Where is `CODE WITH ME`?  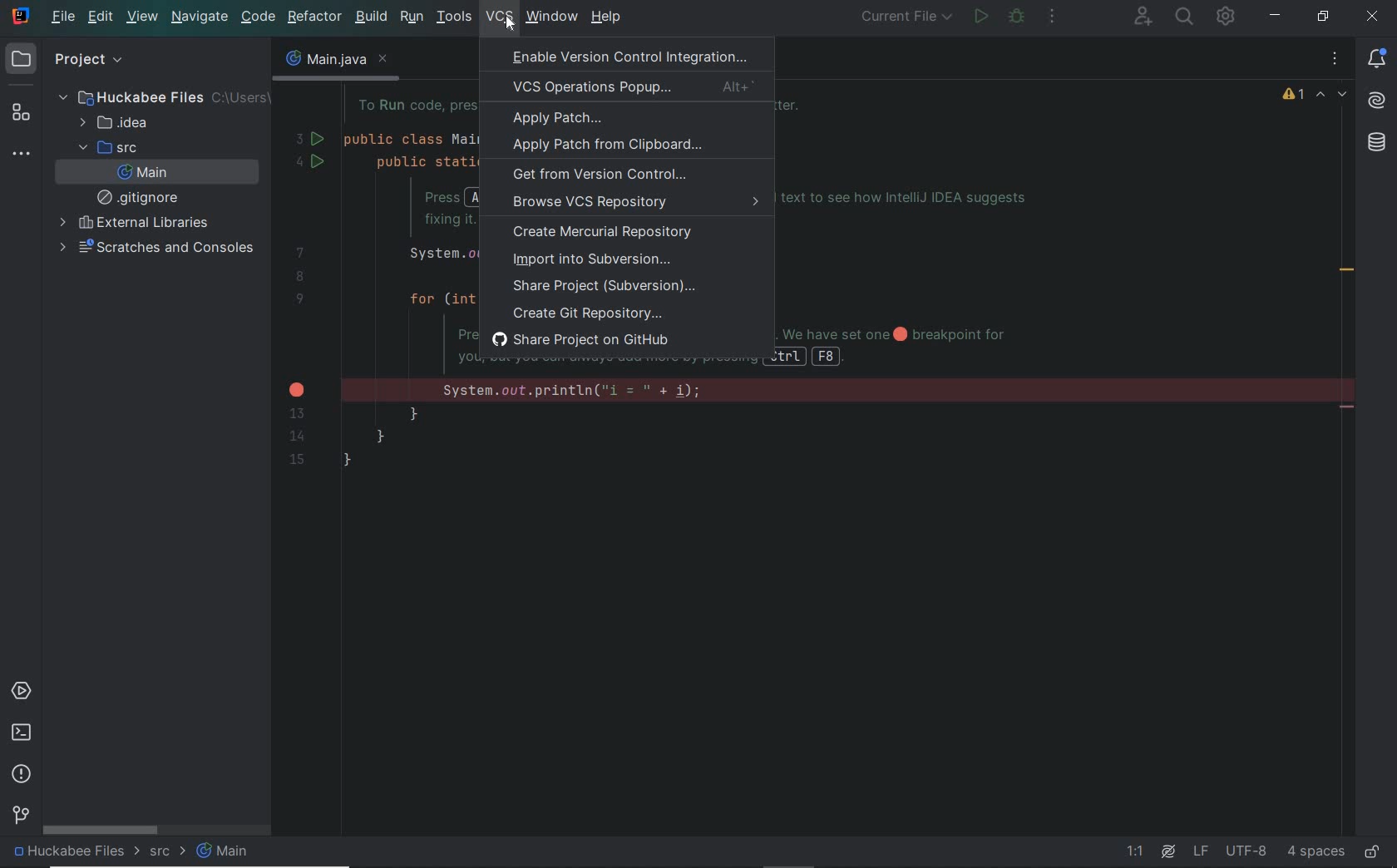 CODE WITH ME is located at coordinates (1143, 16).